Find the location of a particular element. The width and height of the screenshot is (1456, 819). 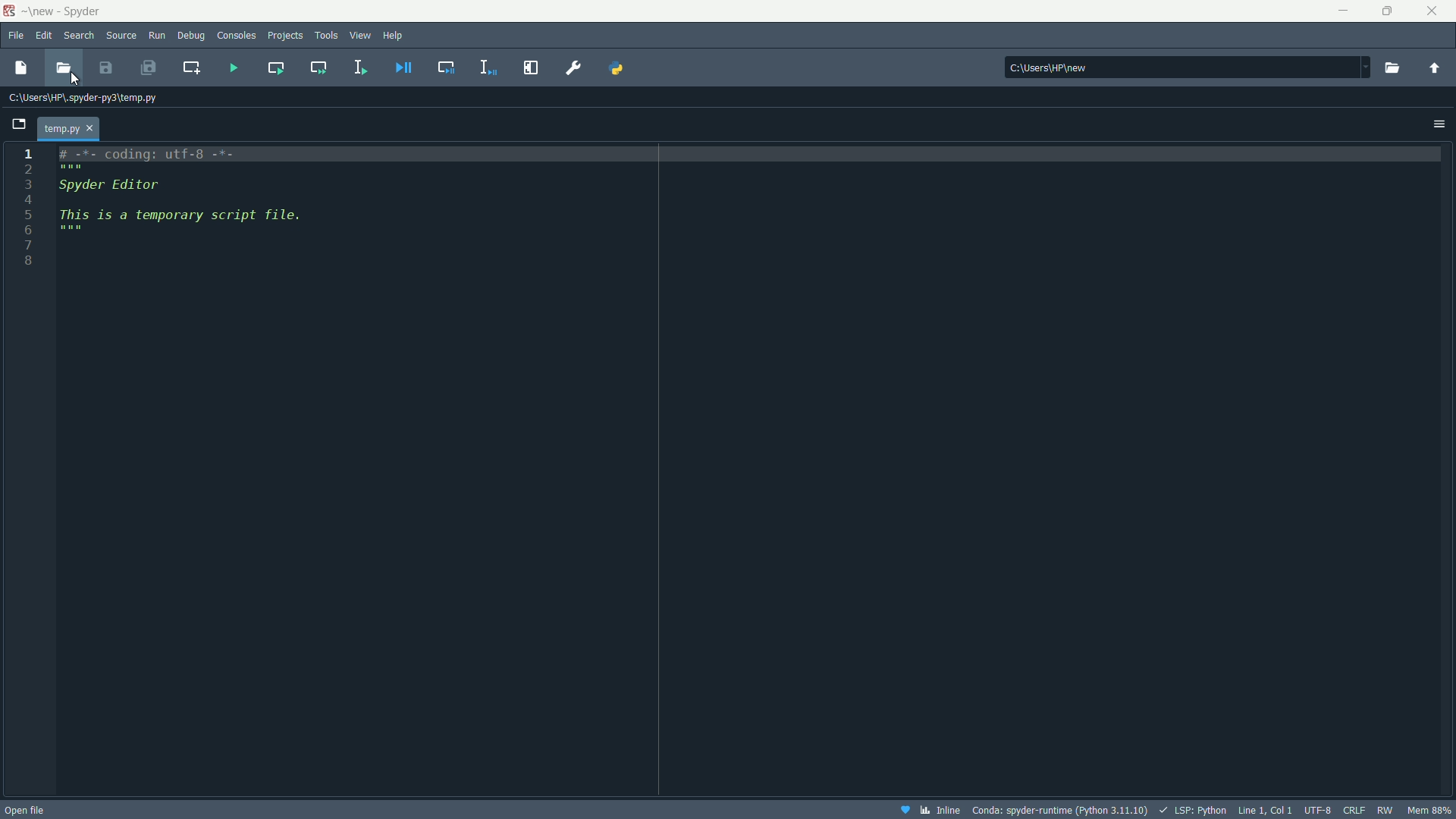

interpreter is located at coordinates (1061, 810).